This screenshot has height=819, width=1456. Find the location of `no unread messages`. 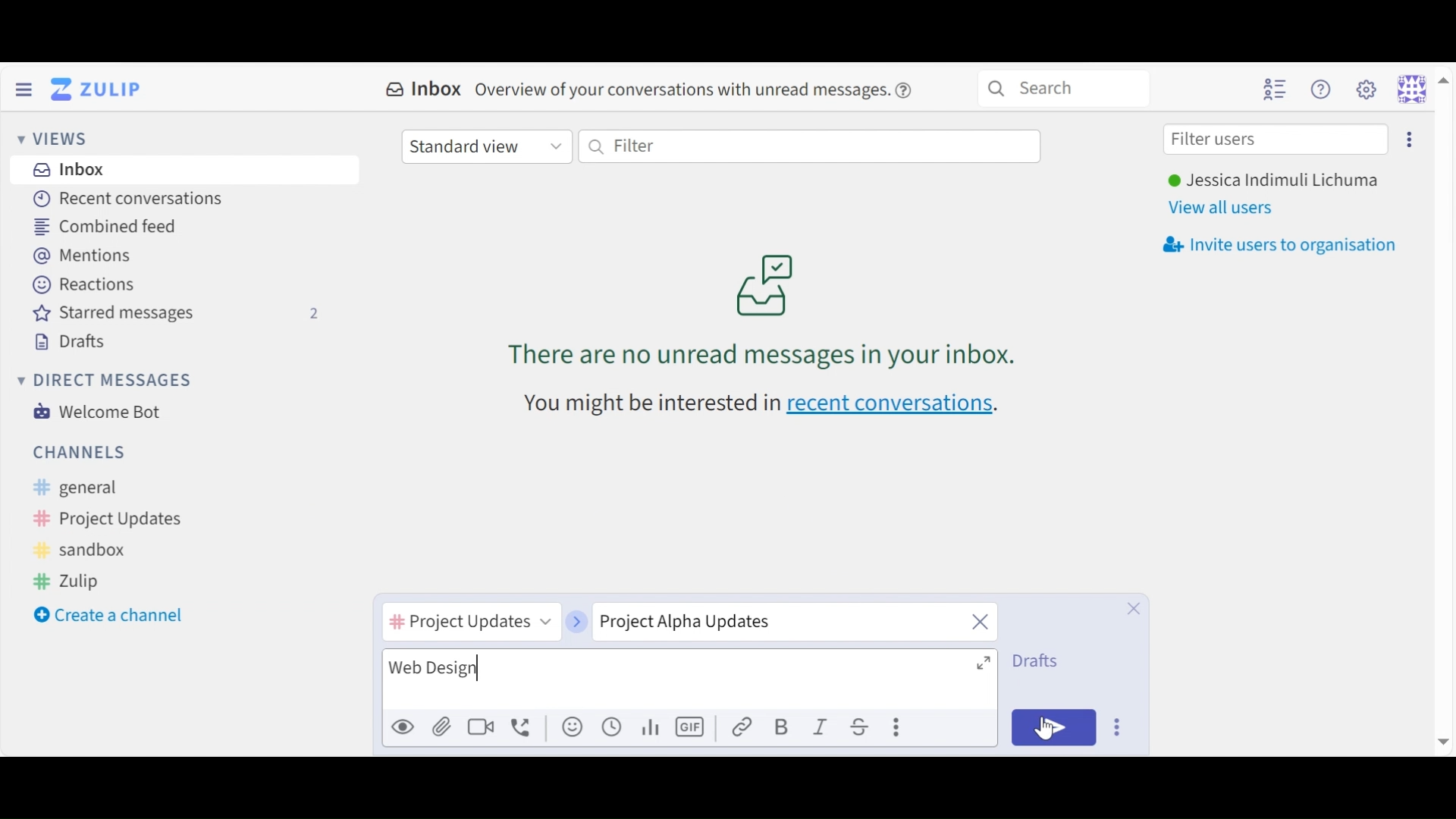

no unread messages is located at coordinates (766, 309).